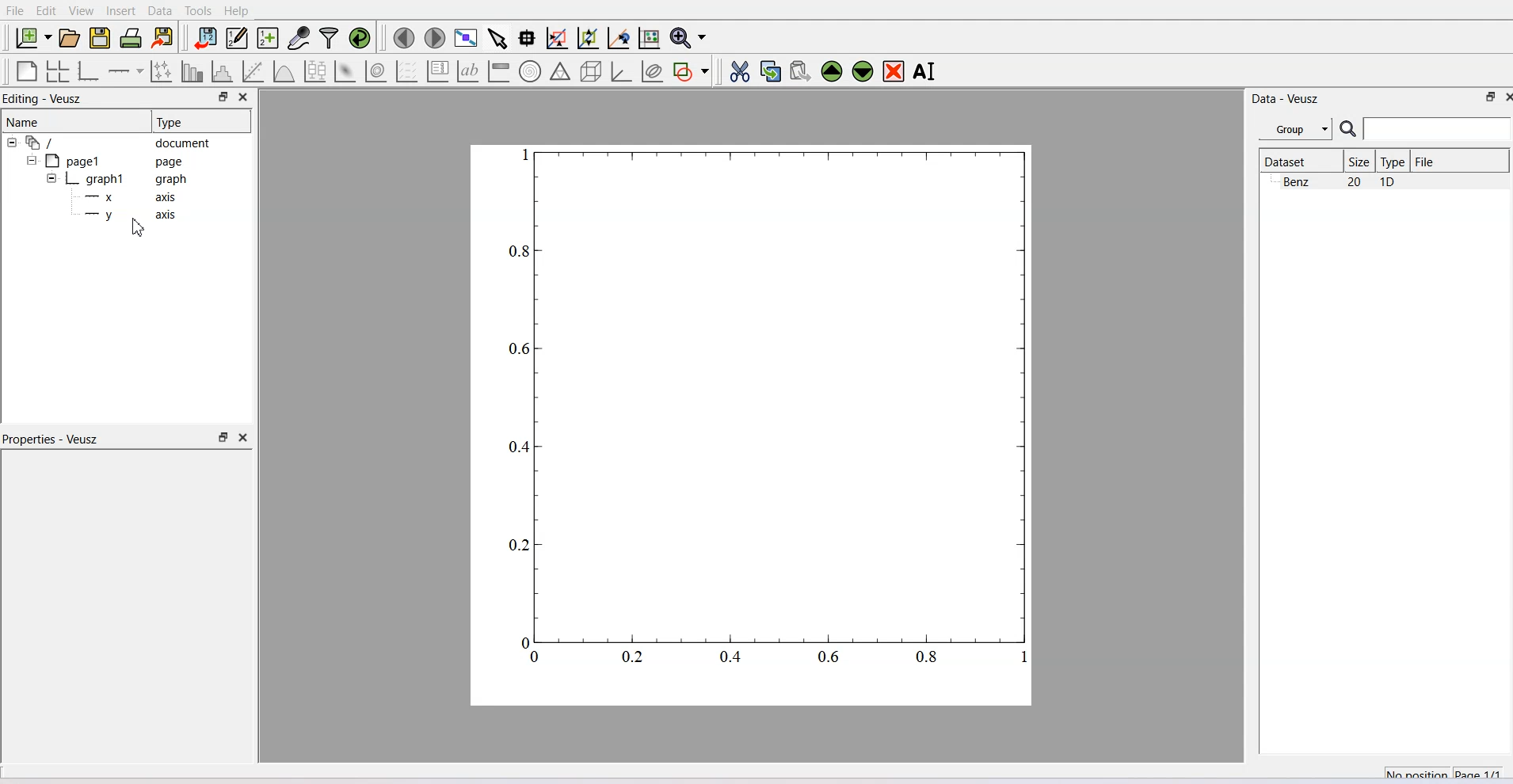 This screenshot has width=1513, height=784. Describe the element at coordinates (82, 11) in the screenshot. I see `View` at that location.